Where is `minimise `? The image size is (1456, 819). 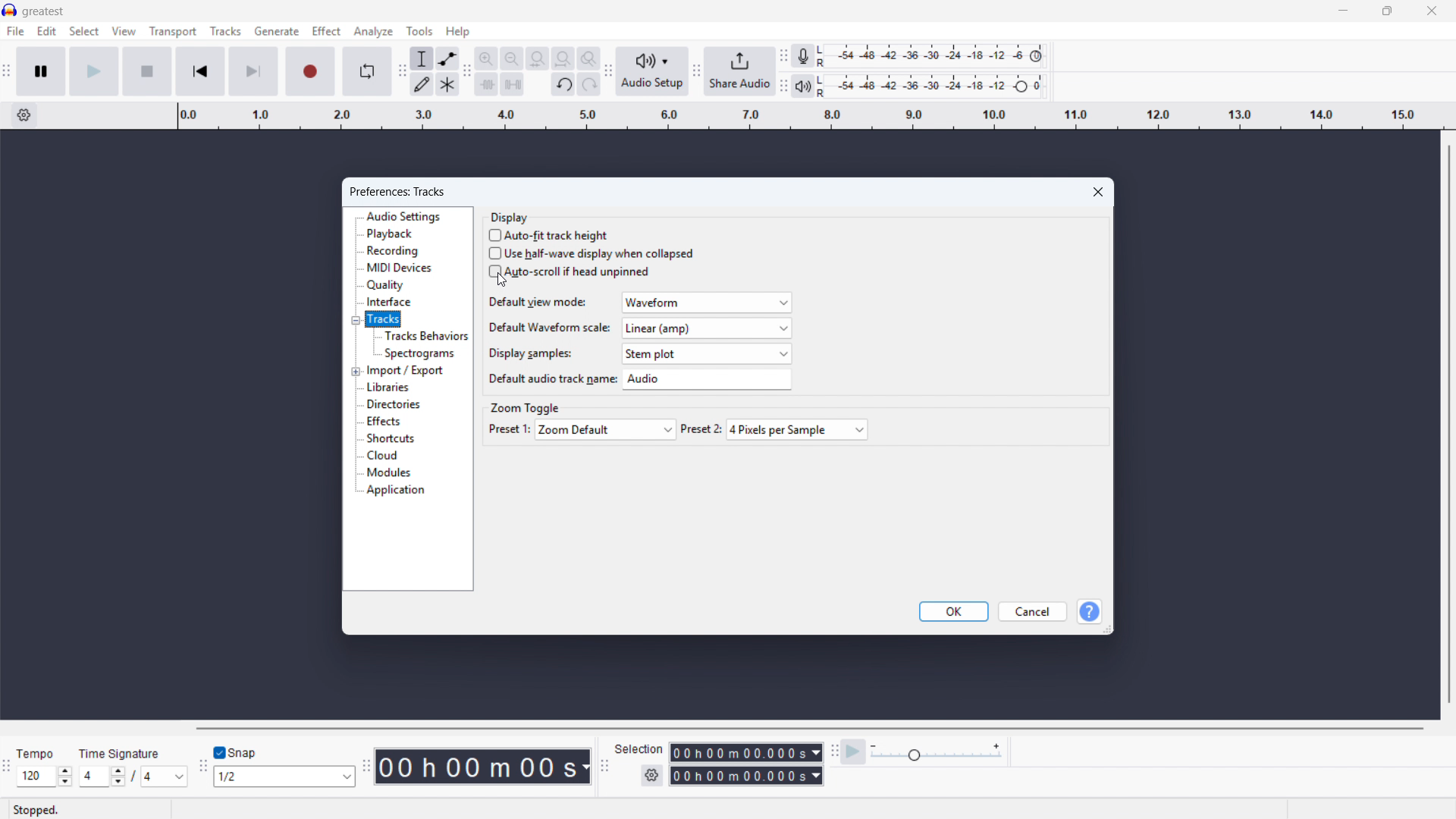 minimise  is located at coordinates (1344, 11).